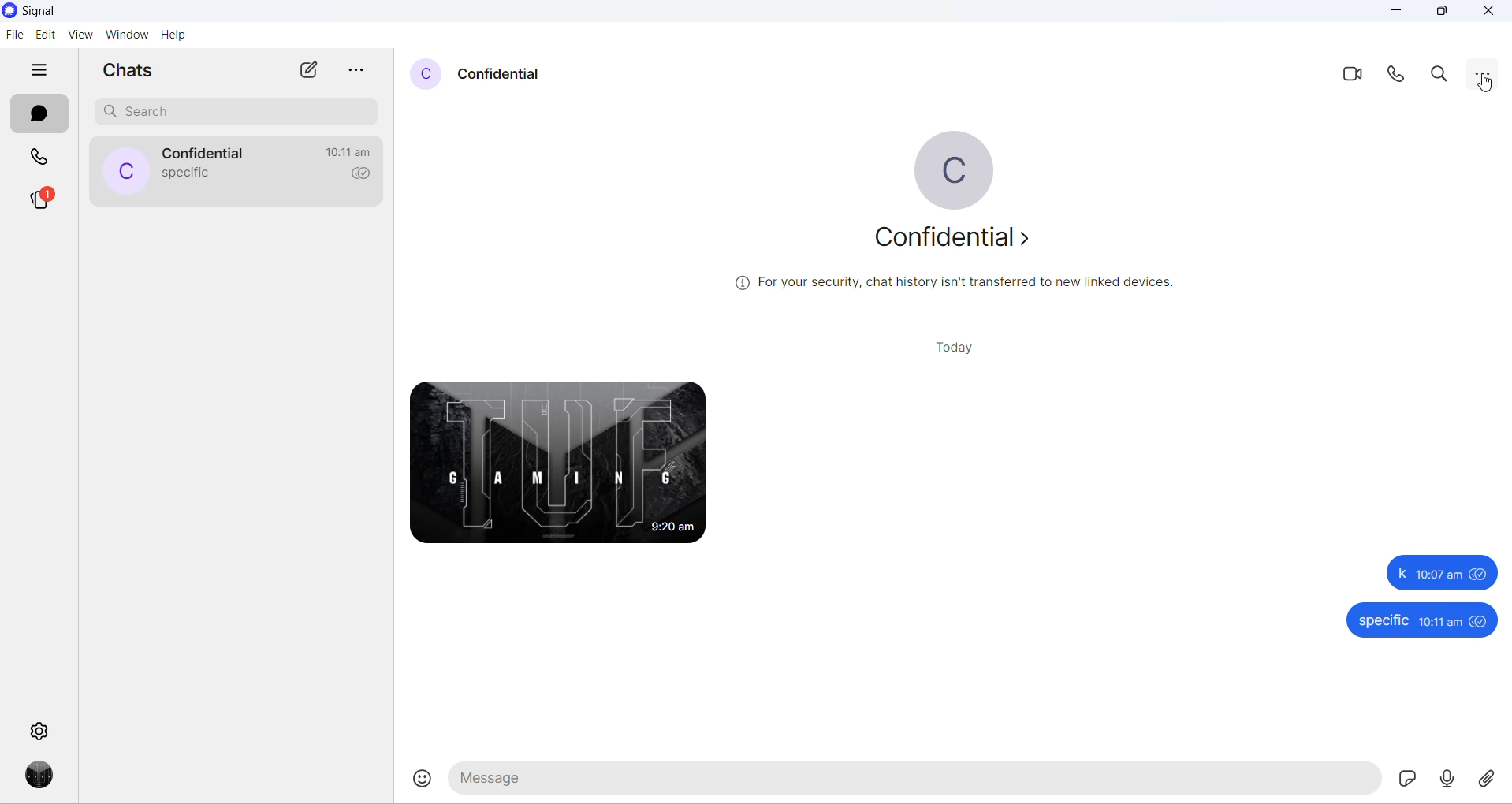 This screenshot has height=804, width=1512. What do you see at coordinates (952, 166) in the screenshot?
I see `profile picture` at bounding box center [952, 166].